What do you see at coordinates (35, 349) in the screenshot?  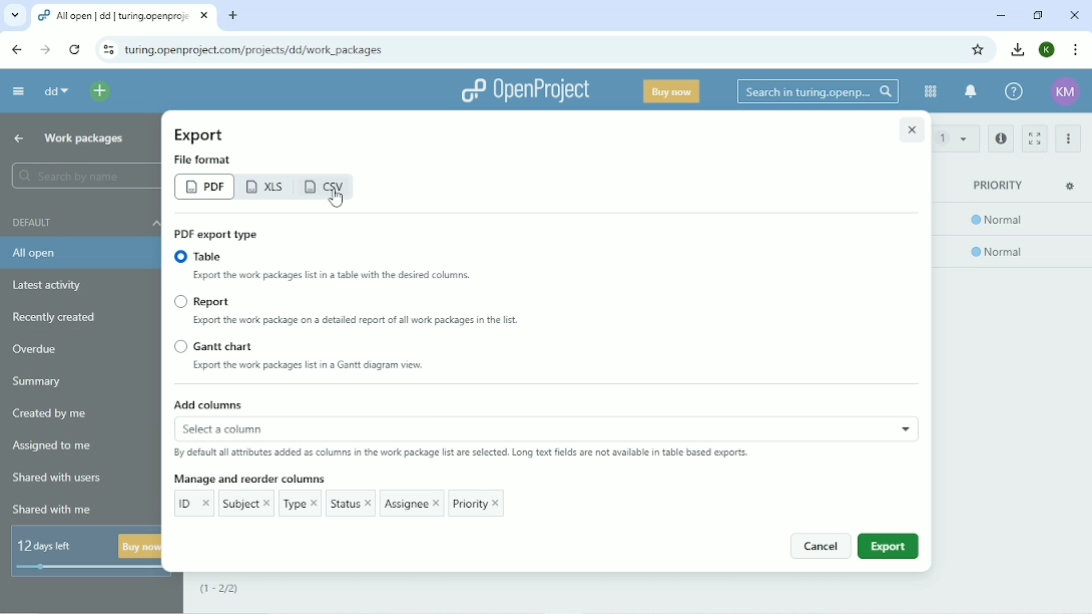 I see `Overdue` at bounding box center [35, 349].